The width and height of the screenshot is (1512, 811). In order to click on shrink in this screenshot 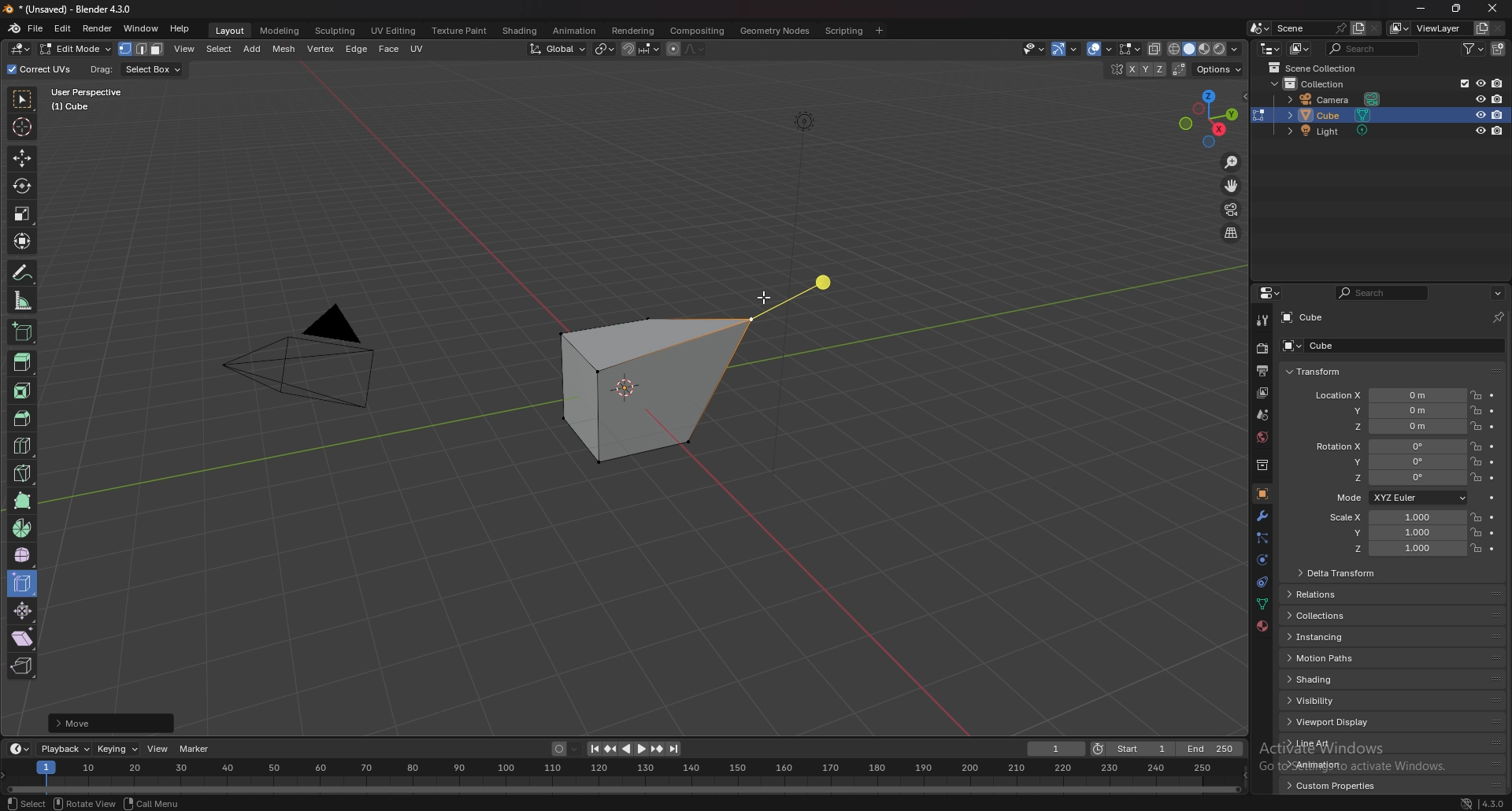, I will do `click(23, 610)`.